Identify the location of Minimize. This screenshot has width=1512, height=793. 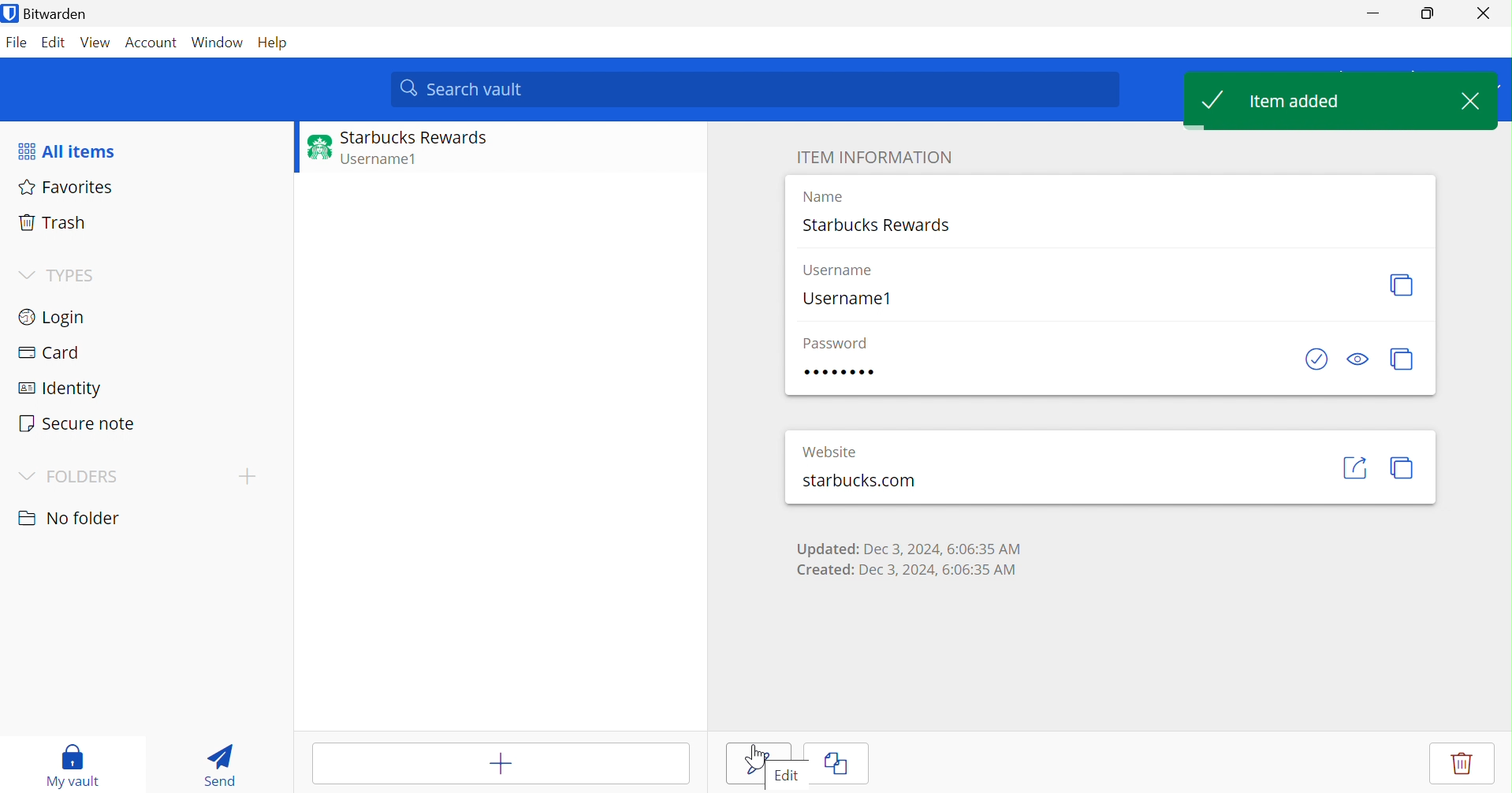
(1375, 9).